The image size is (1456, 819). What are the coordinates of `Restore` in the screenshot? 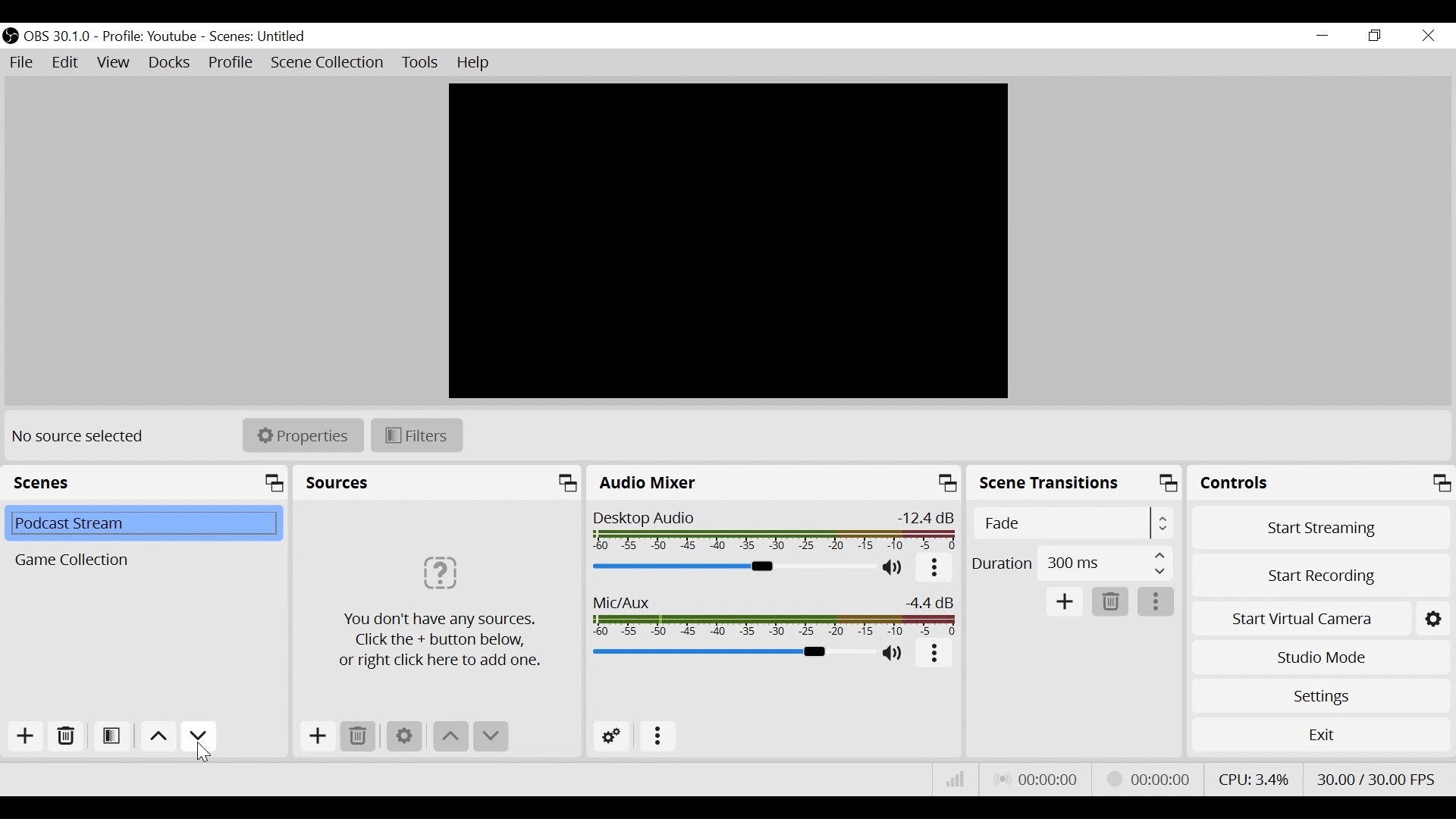 It's located at (1373, 36).